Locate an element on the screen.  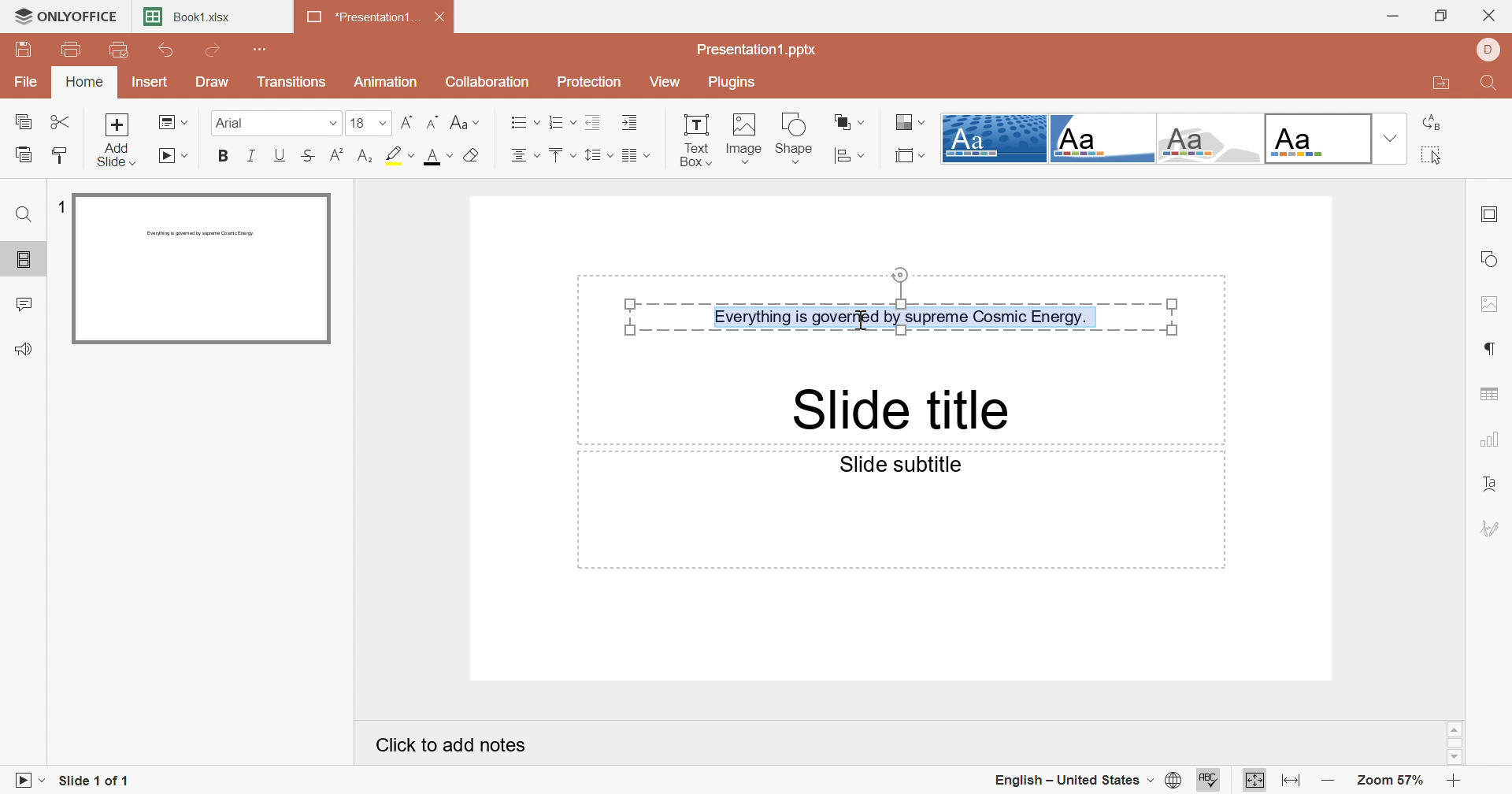
subscript is located at coordinates (366, 155).